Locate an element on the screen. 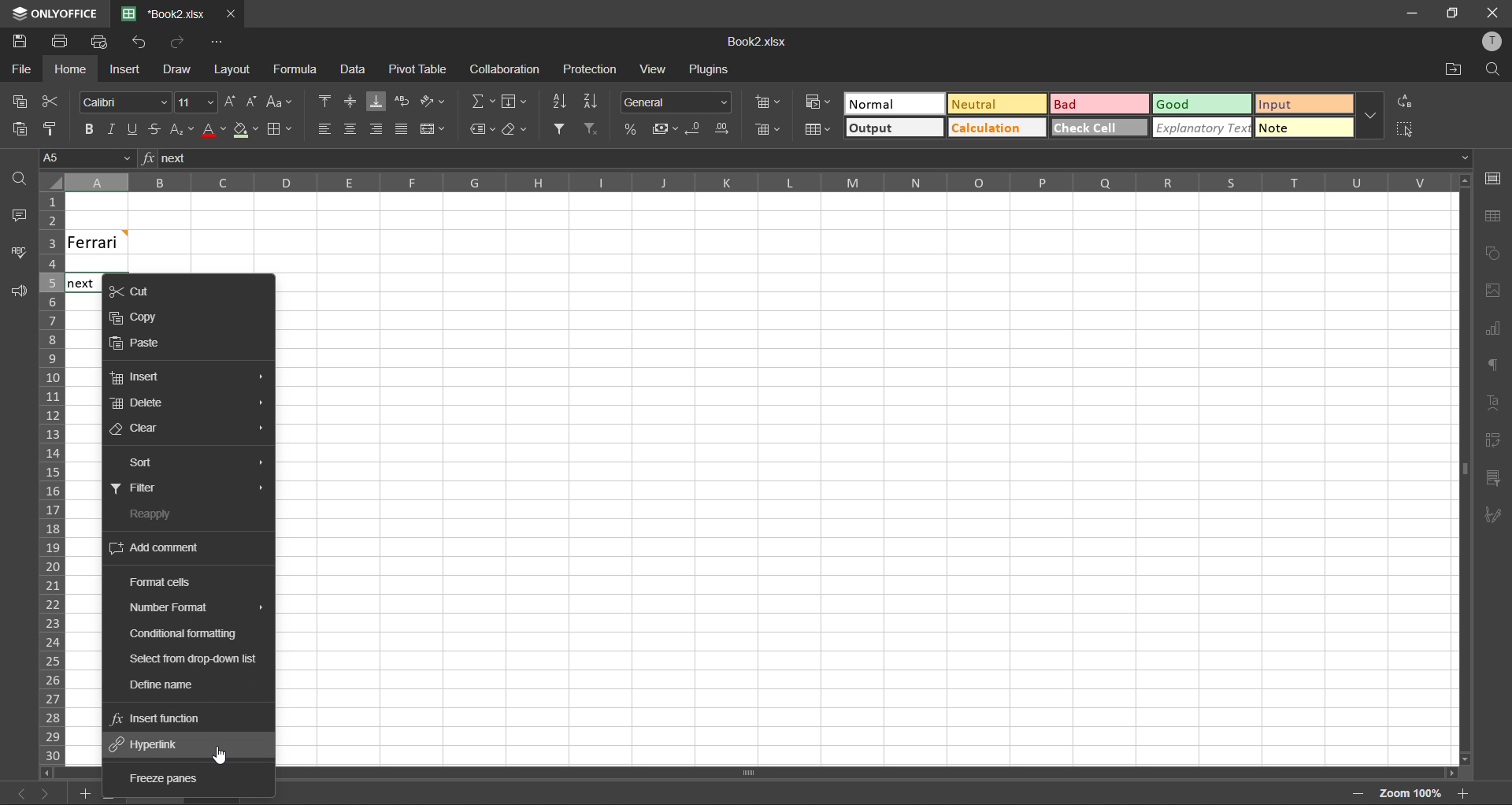 This screenshot has height=805, width=1512. format cells is located at coordinates (168, 584).